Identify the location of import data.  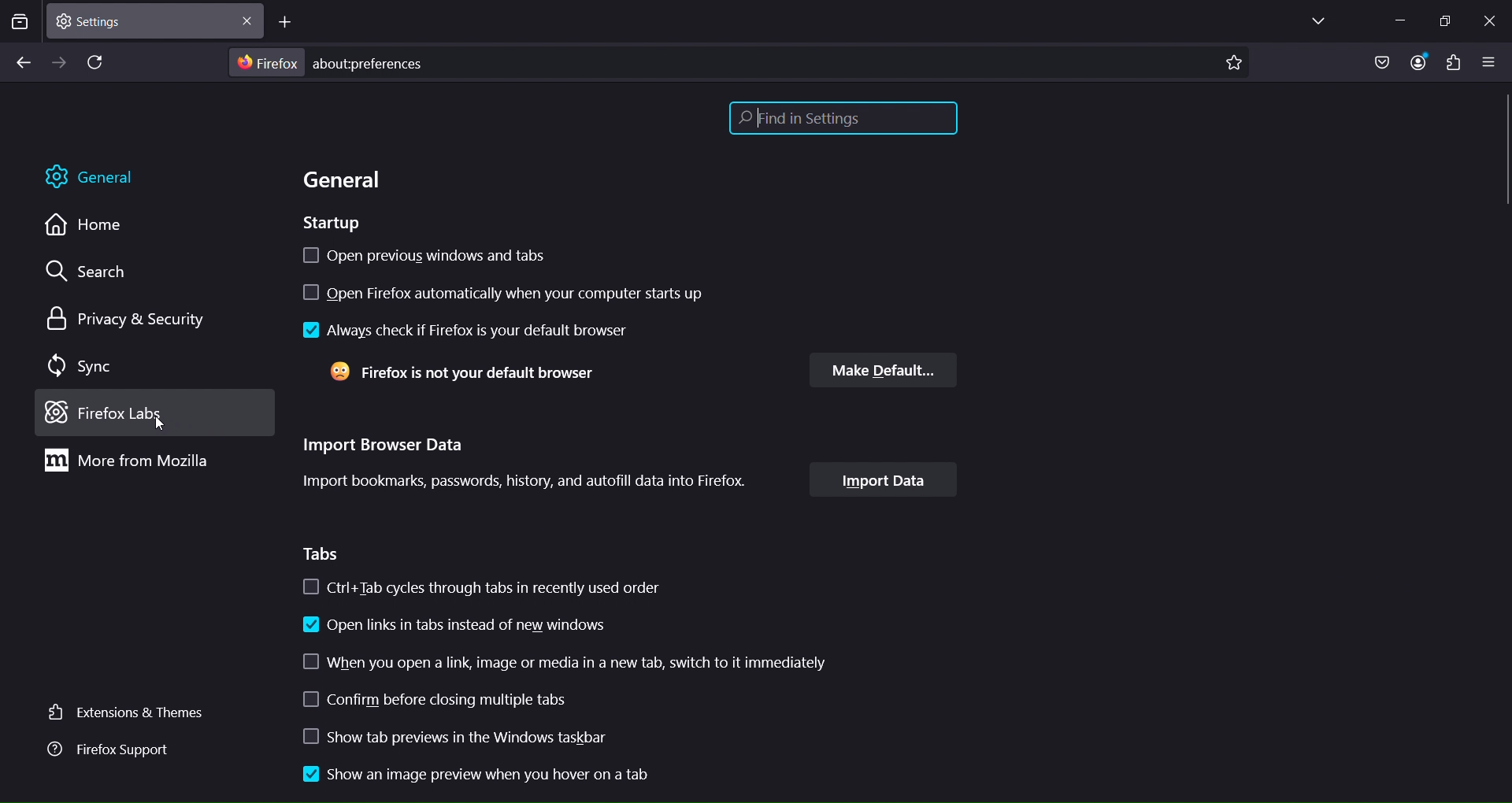
(884, 481).